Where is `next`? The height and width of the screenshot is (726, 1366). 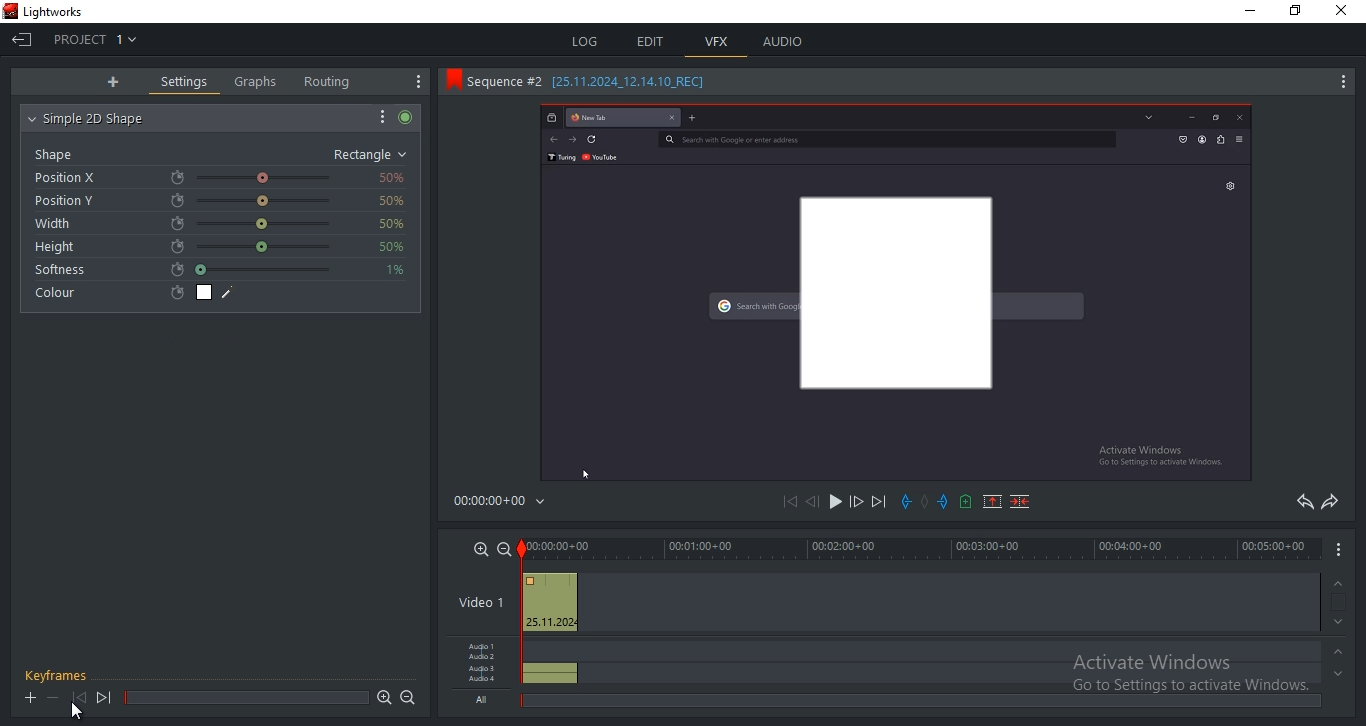
next is located at coordinates (879, 502).